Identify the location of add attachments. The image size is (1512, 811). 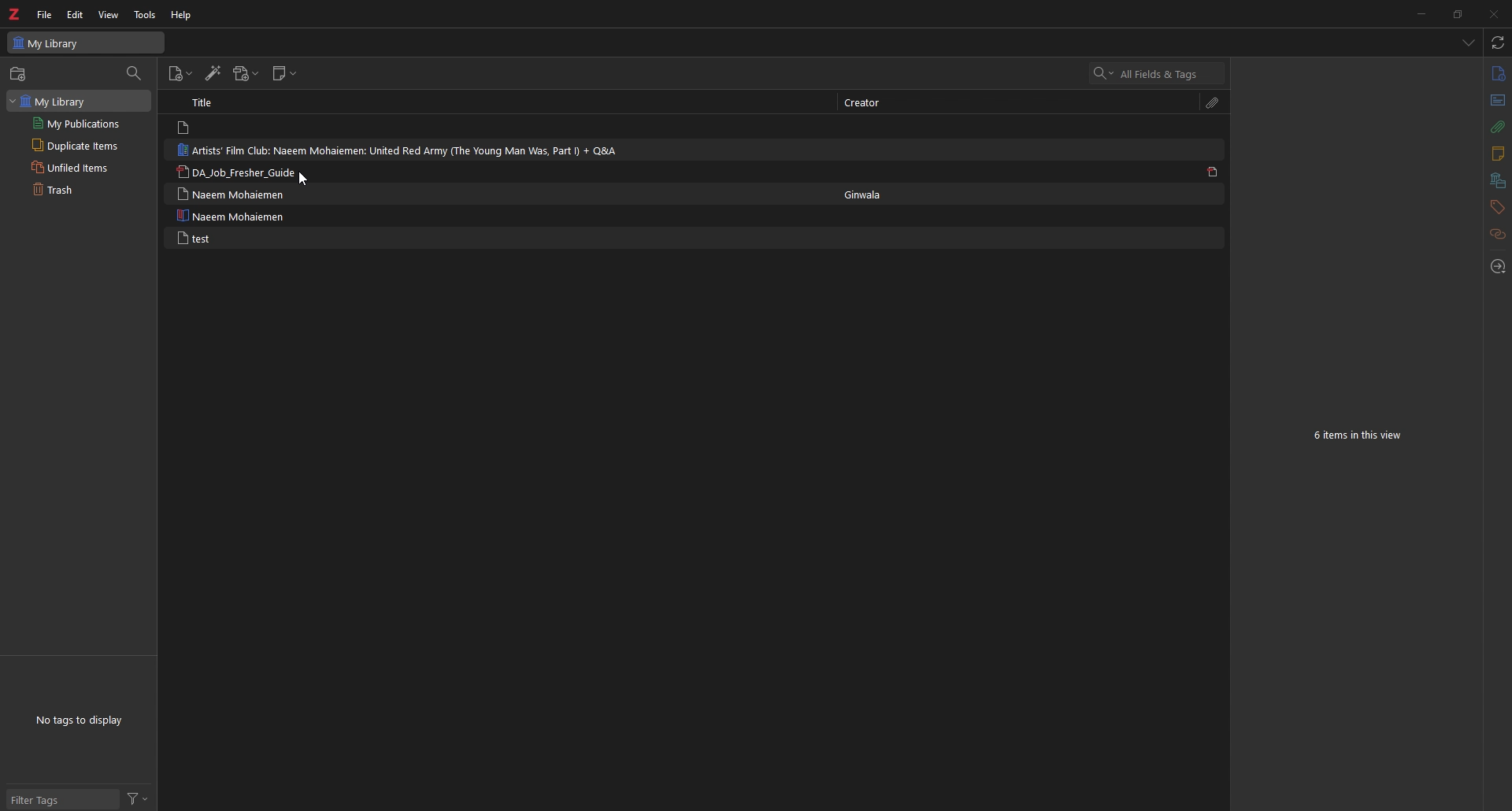
(246, 73).